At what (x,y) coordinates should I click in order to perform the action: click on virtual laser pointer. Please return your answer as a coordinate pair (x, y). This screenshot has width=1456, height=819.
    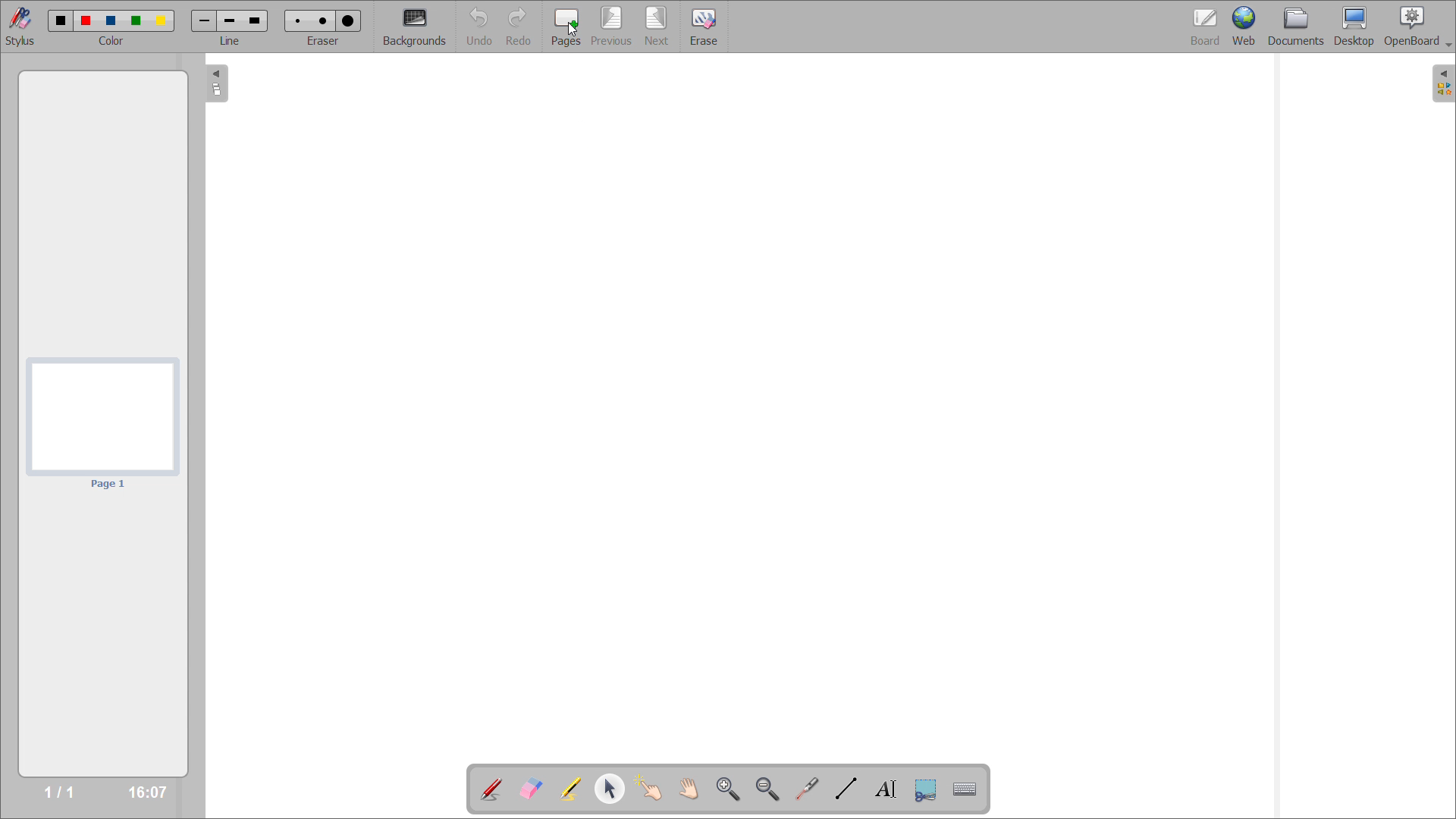
    Looking at the image, I should click on (805, 788).